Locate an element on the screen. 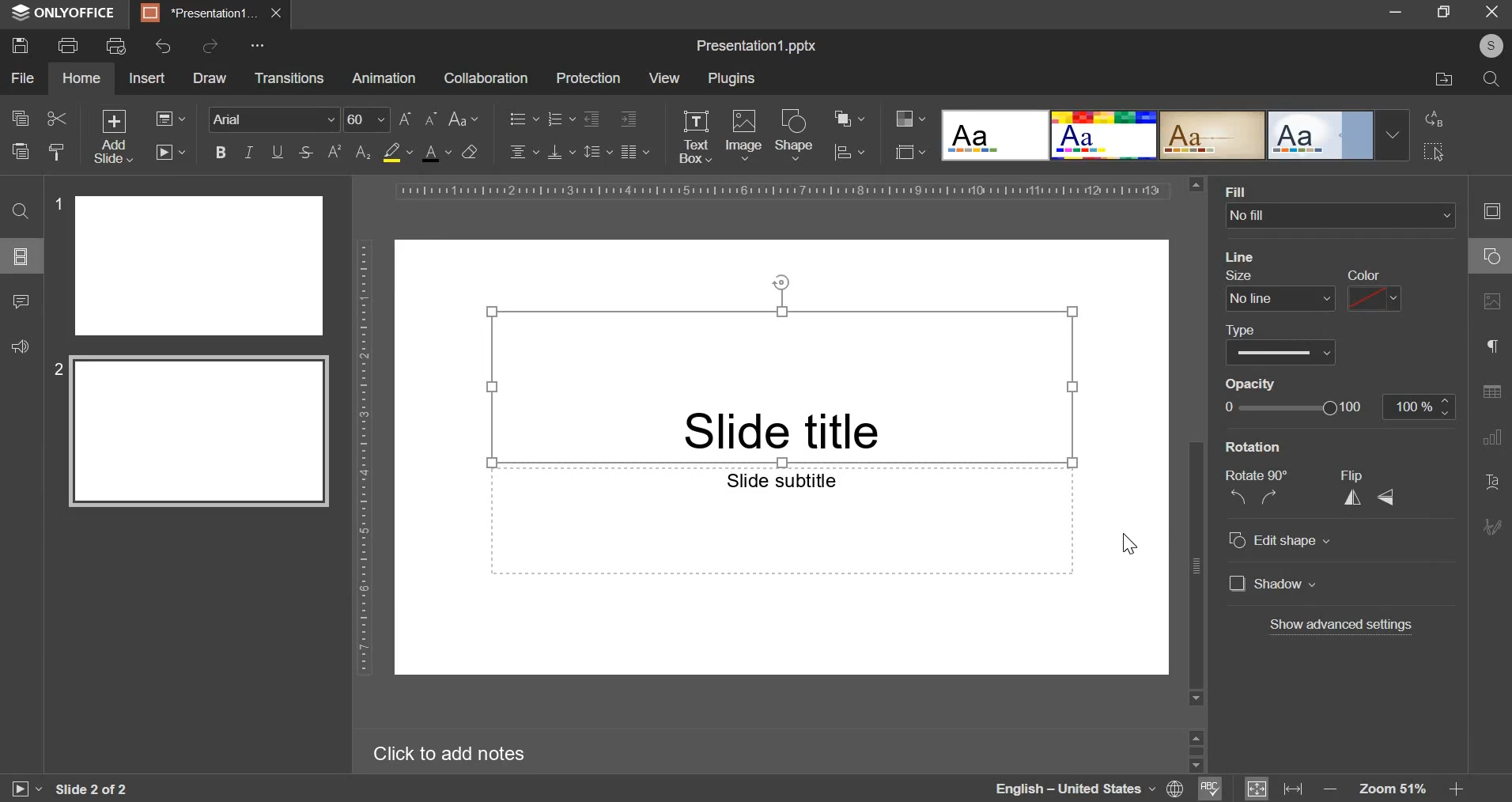  shape is located at coordinates (795, 134).